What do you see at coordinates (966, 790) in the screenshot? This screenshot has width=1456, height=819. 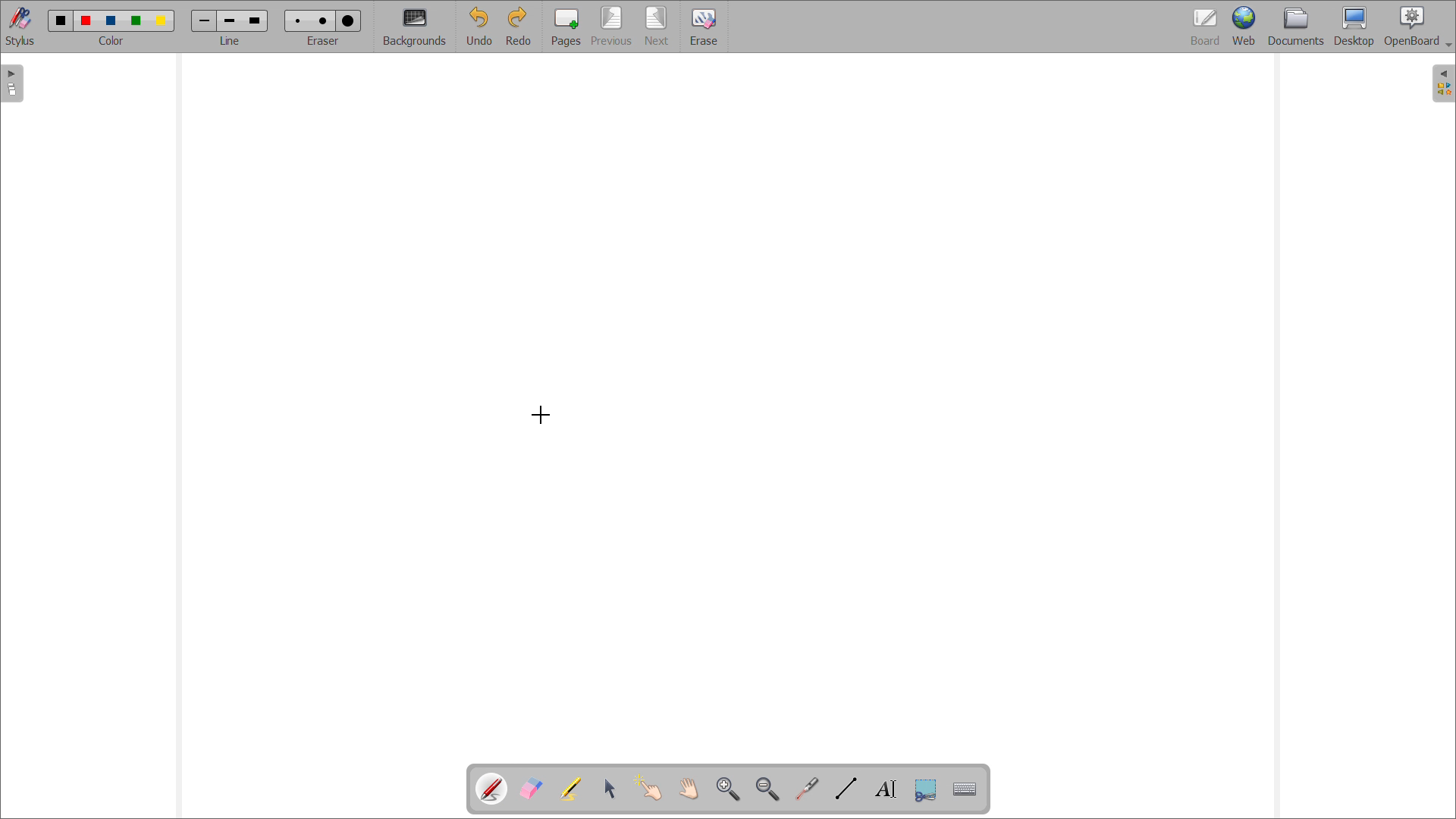 I see `virtual keyboard` at bounding box center [966, 790].